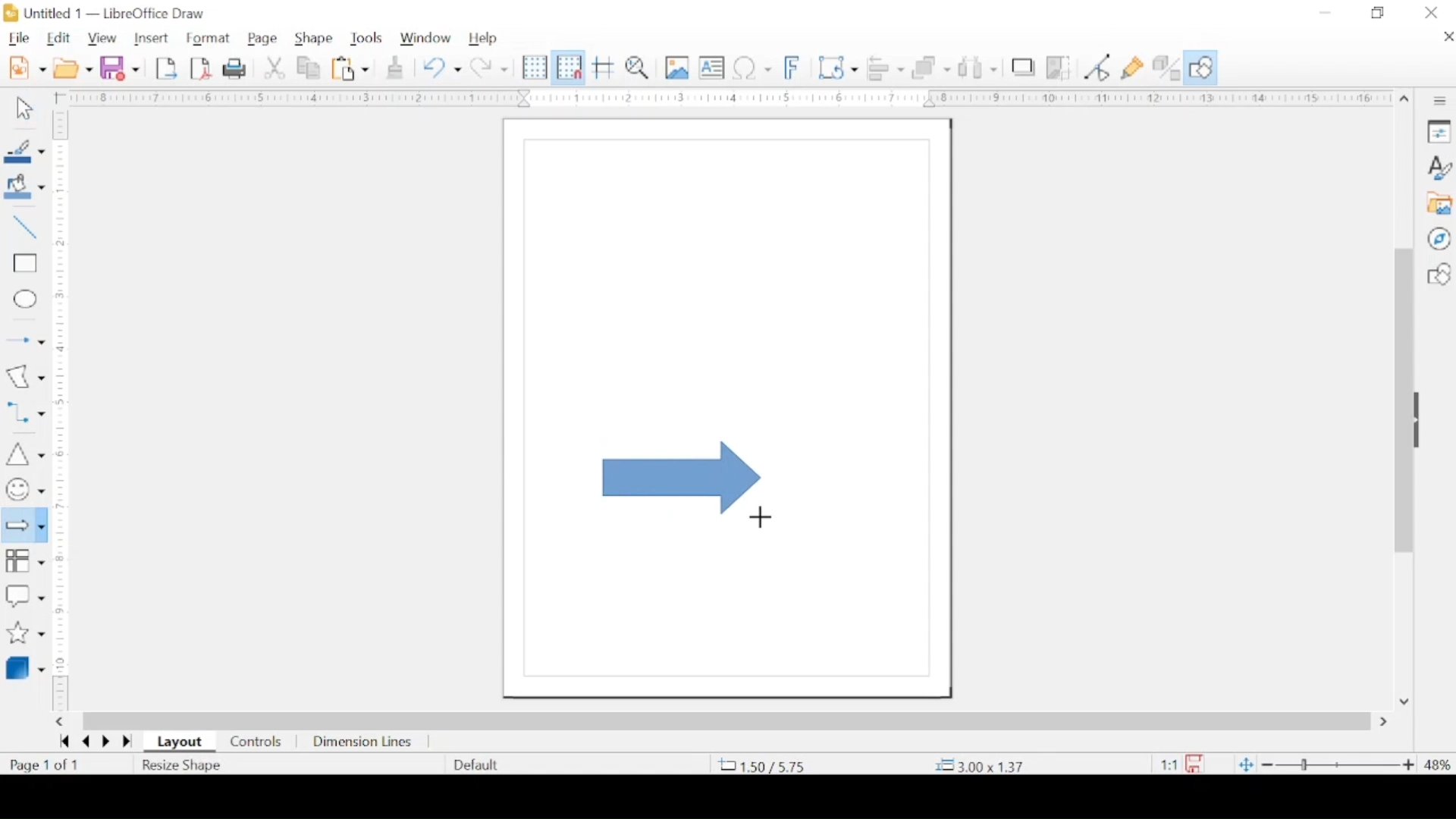 This screenshot has height=819, width=1456. What do you see at coordinates (60, 39) in the screenshot?
I see `edit` at bounding box center [60, 39].